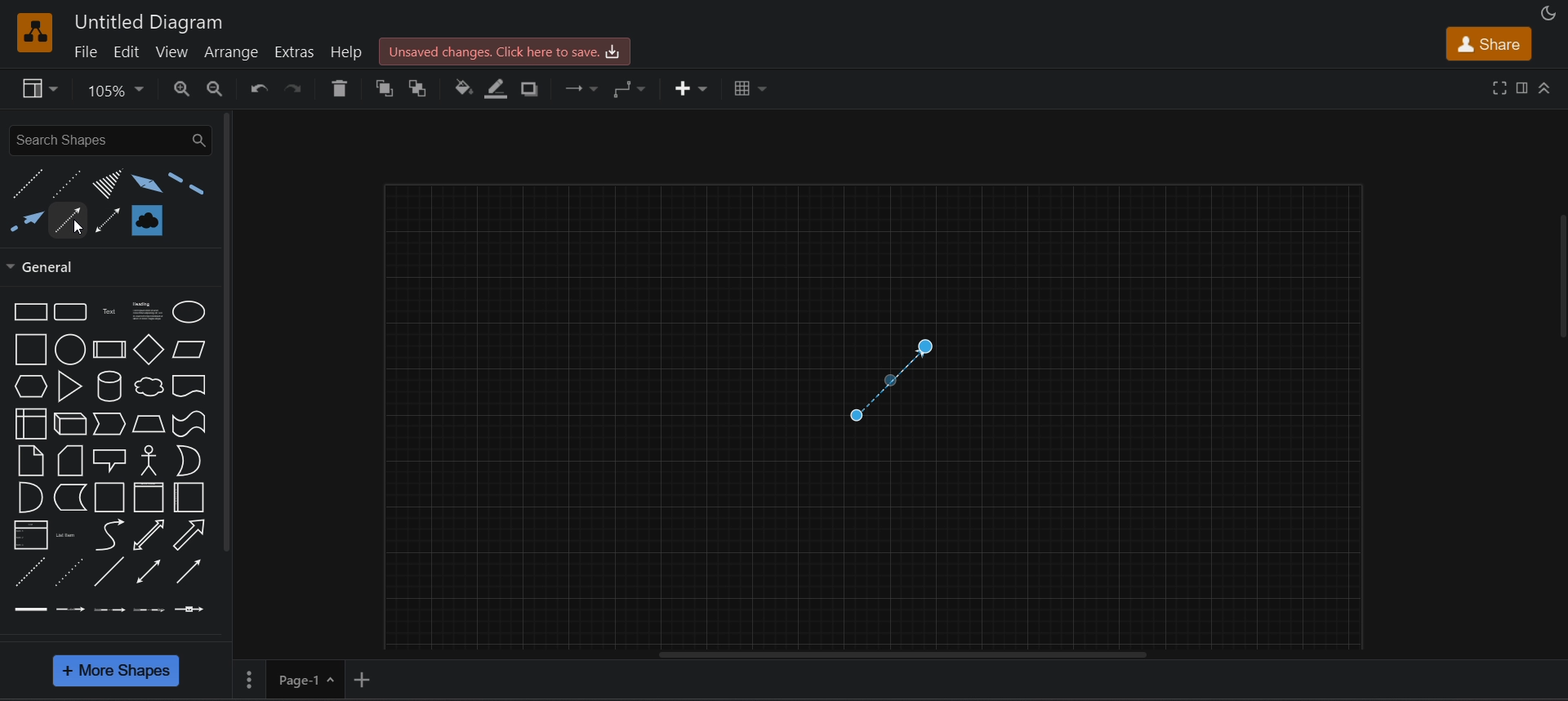 The height and width of the screenshot is (701, 1568). I want to click on bidirectional arrow, so click(148, 534).